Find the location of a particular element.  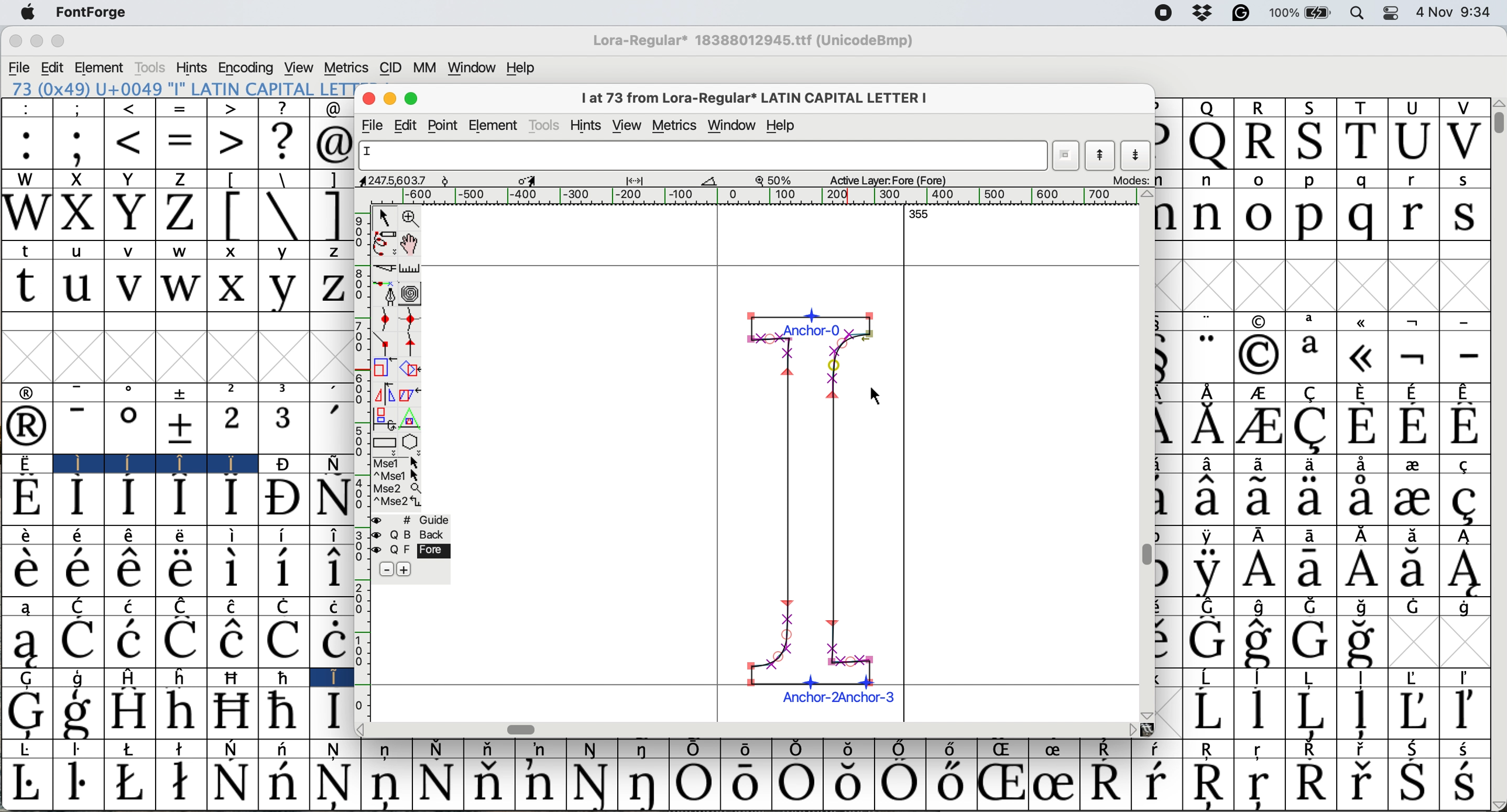

Y is located at coordinates (129, 215).